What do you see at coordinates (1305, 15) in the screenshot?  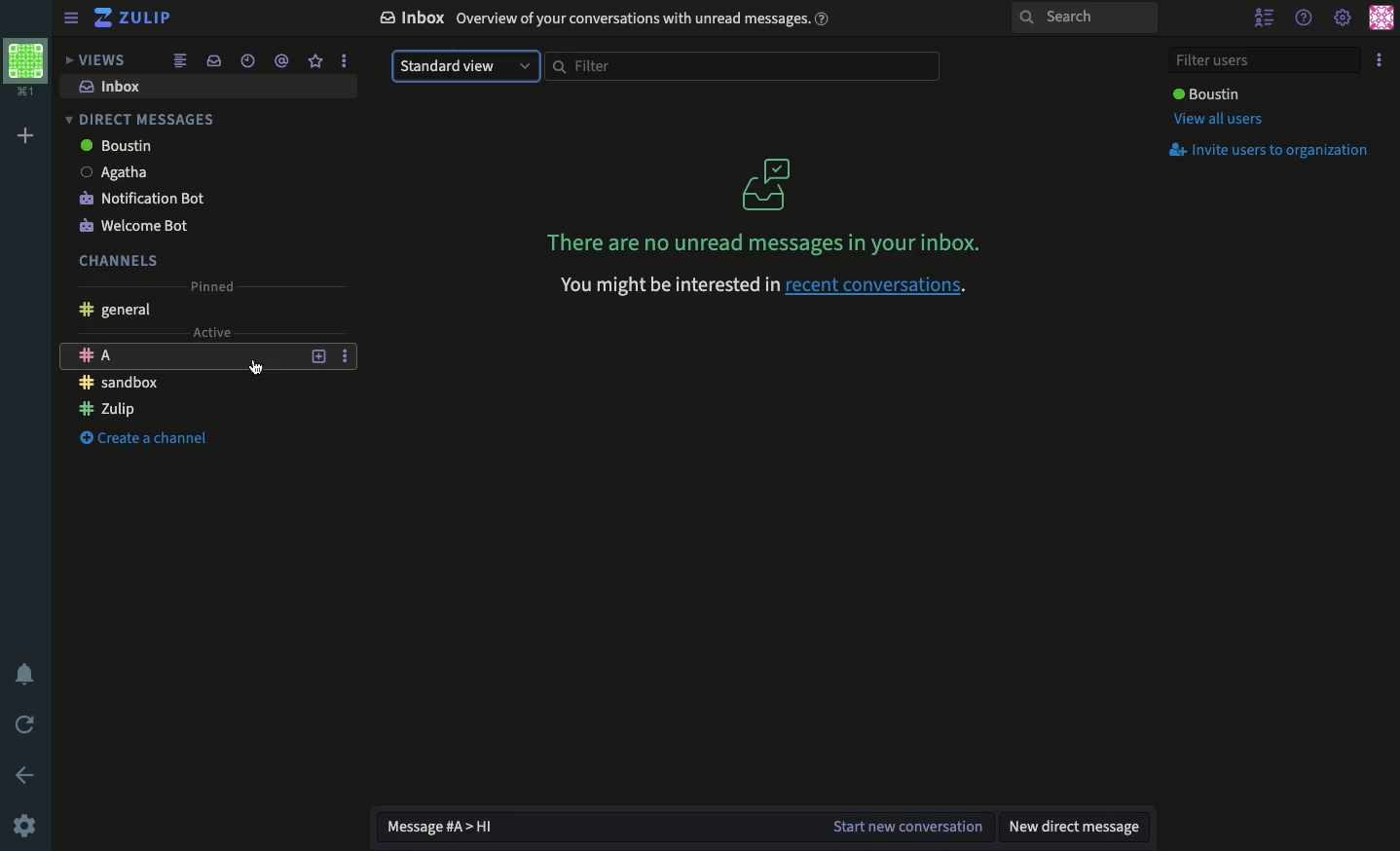 I see `Help` at bounding box center [1305, 15].